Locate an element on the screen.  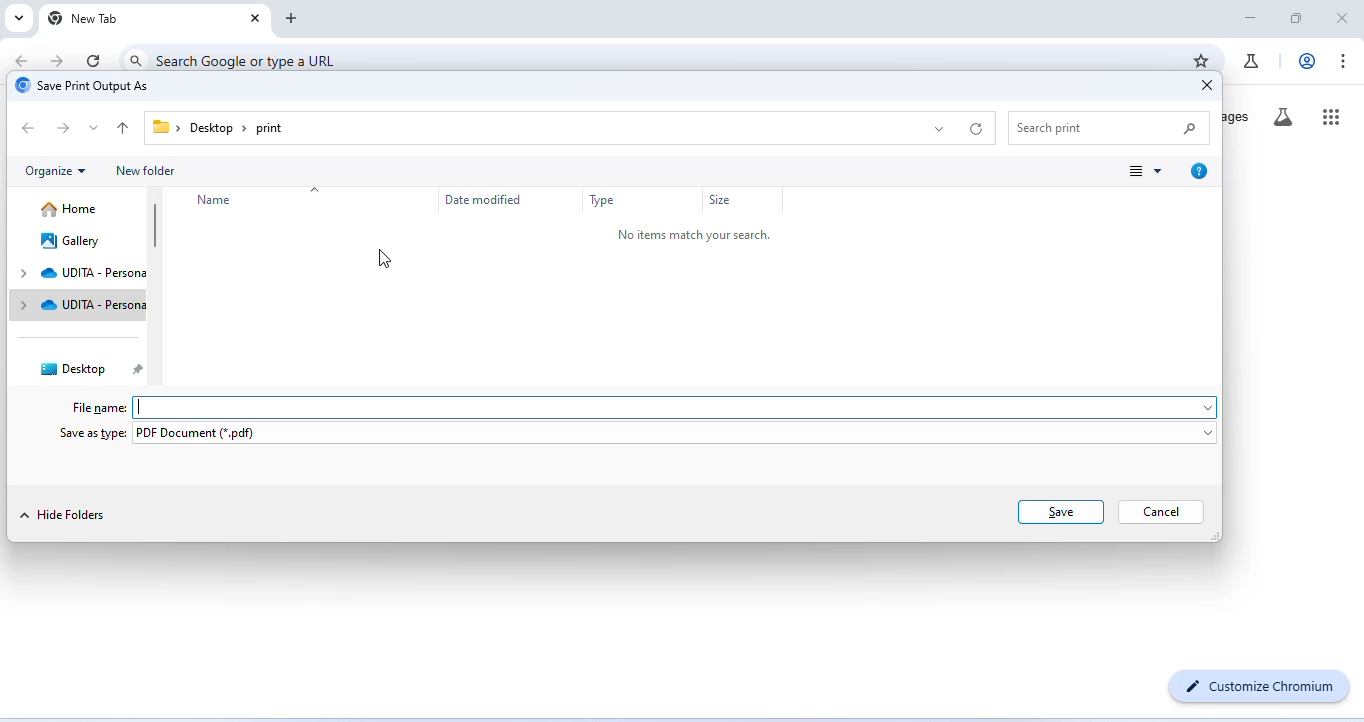
drop down is located at coordinates (316, 186).